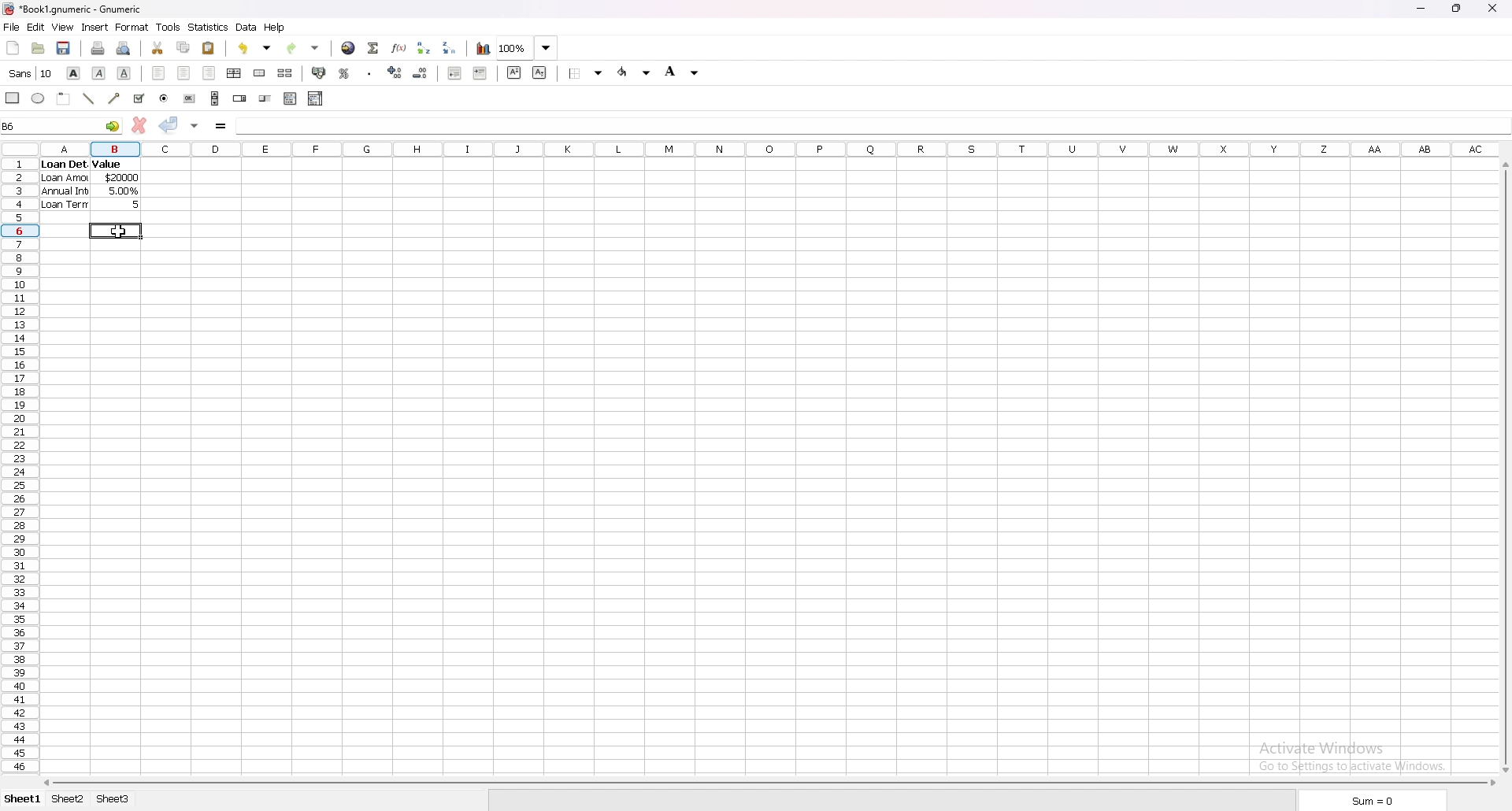 Image resolution: width=1512 pixels, height=811 pixels. Describe the element at coordinates (266, 99) in the screenshot. I see `slider` at that location.